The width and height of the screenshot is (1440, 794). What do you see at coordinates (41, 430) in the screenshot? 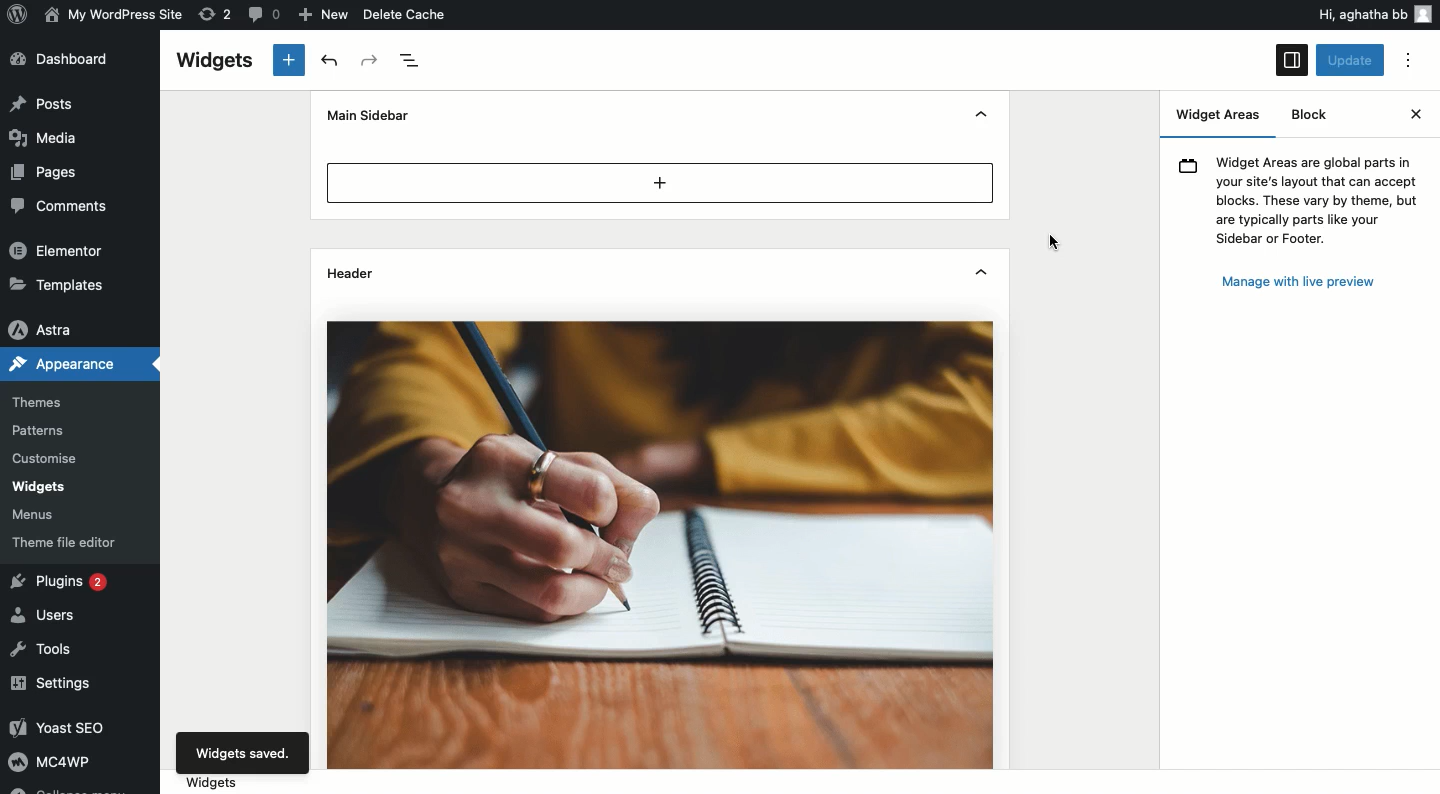
I see `Patterns` at bounding box center [41, 430].